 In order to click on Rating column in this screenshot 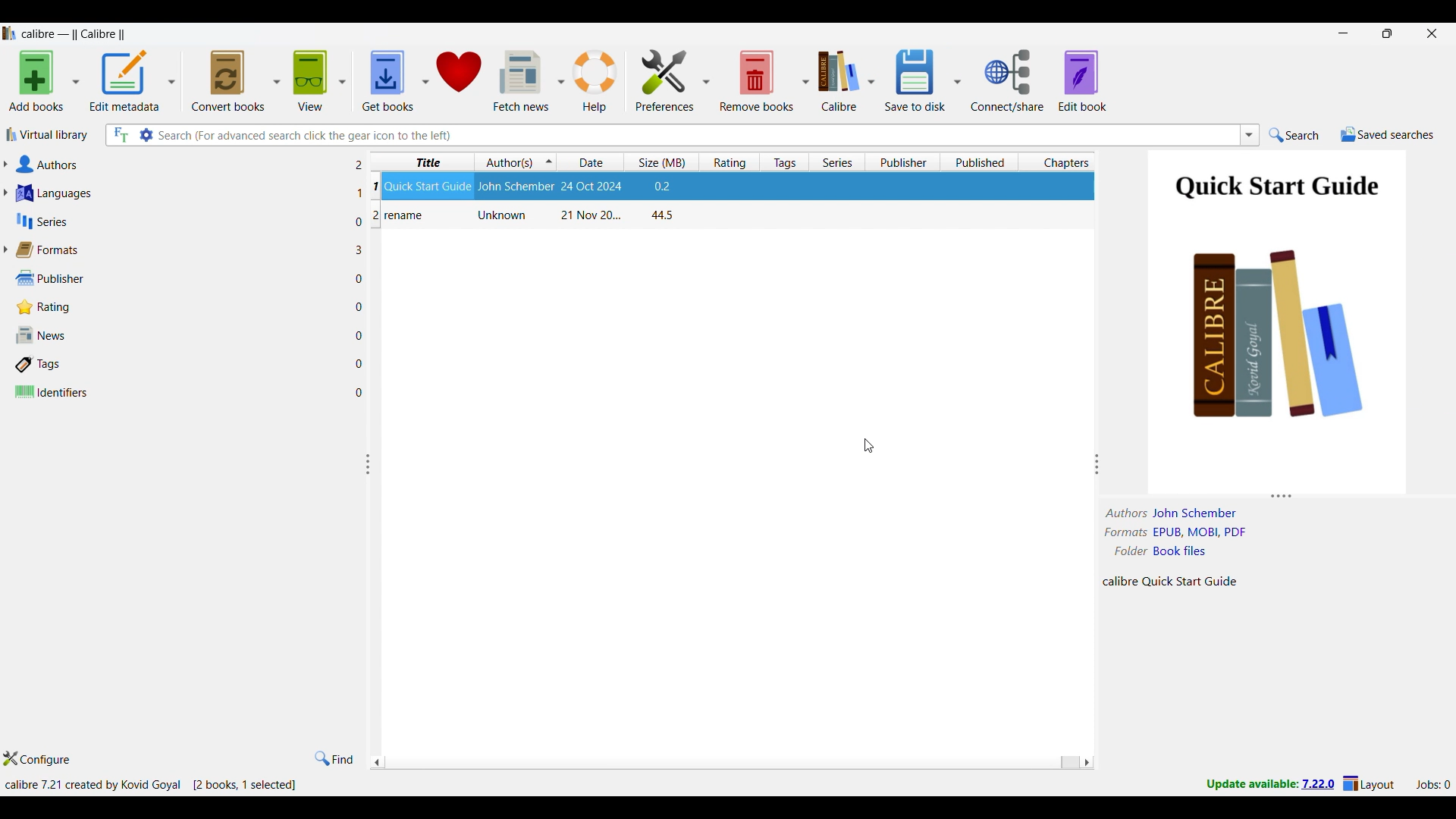, I will do `click(729, 162)`.